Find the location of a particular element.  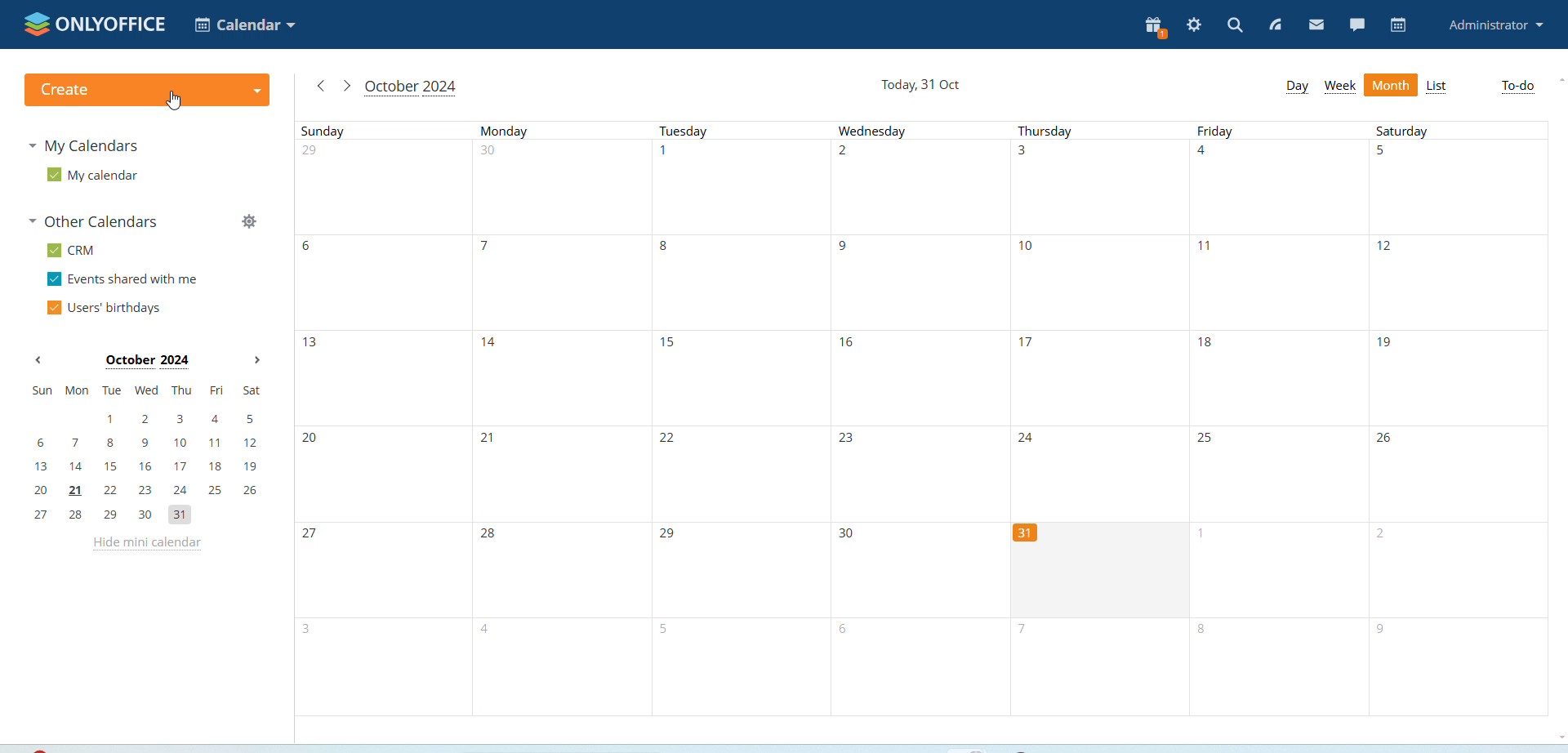

calendar application is located at coordinates (243, 24).